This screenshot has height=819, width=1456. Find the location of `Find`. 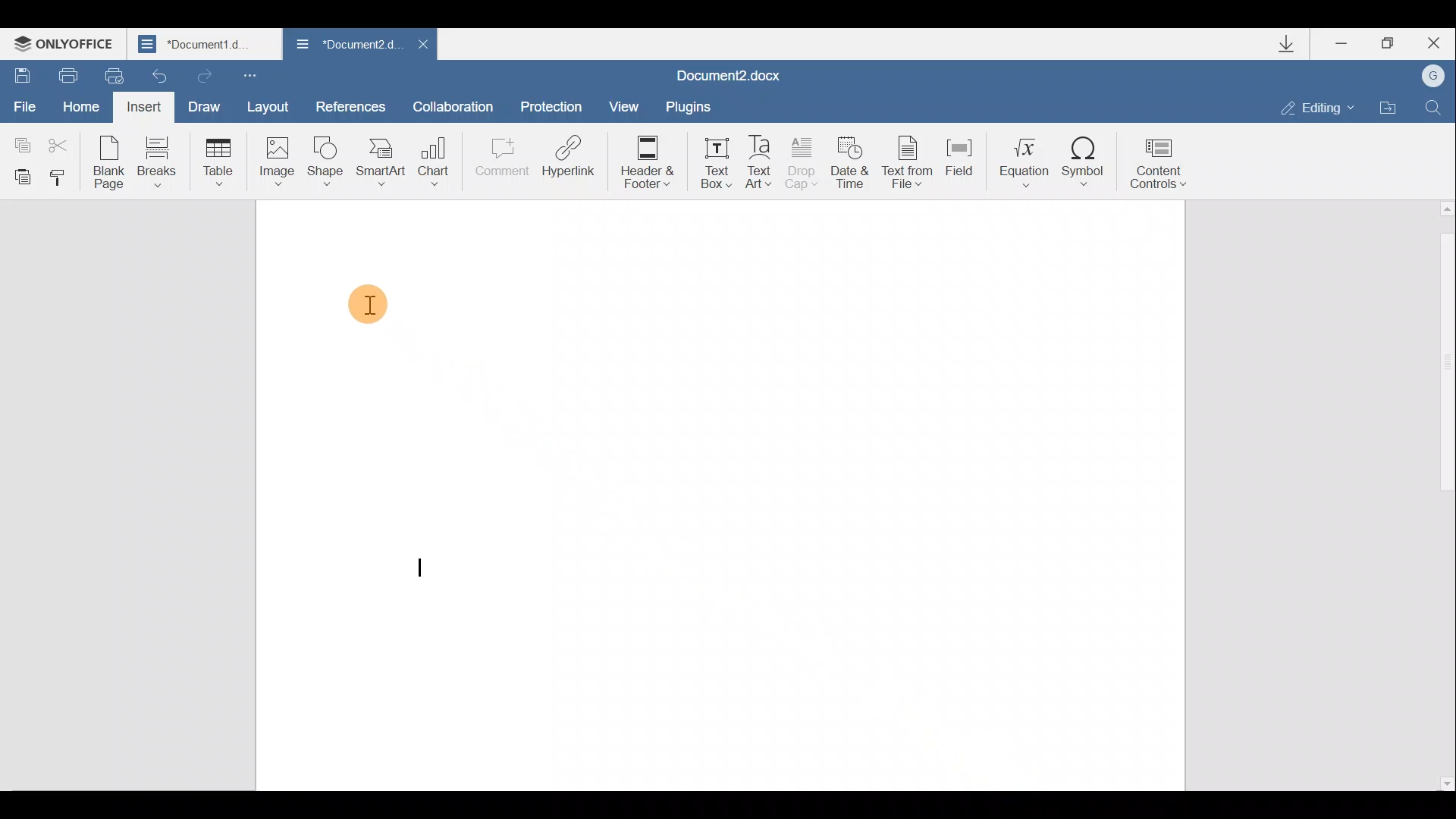

Find is located at coordinates (1435, 105).